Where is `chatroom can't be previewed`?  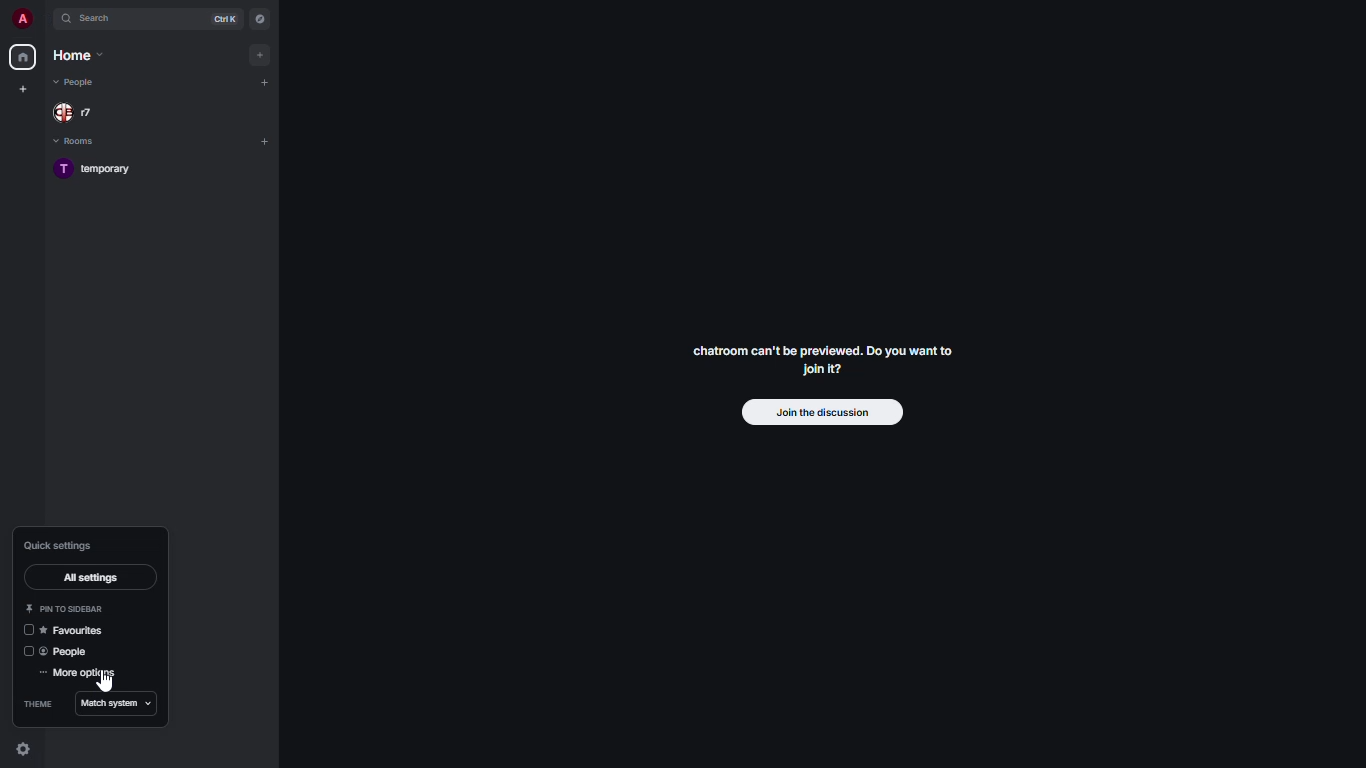
chatroom can't be previewed is located at coordinates (821, 360).